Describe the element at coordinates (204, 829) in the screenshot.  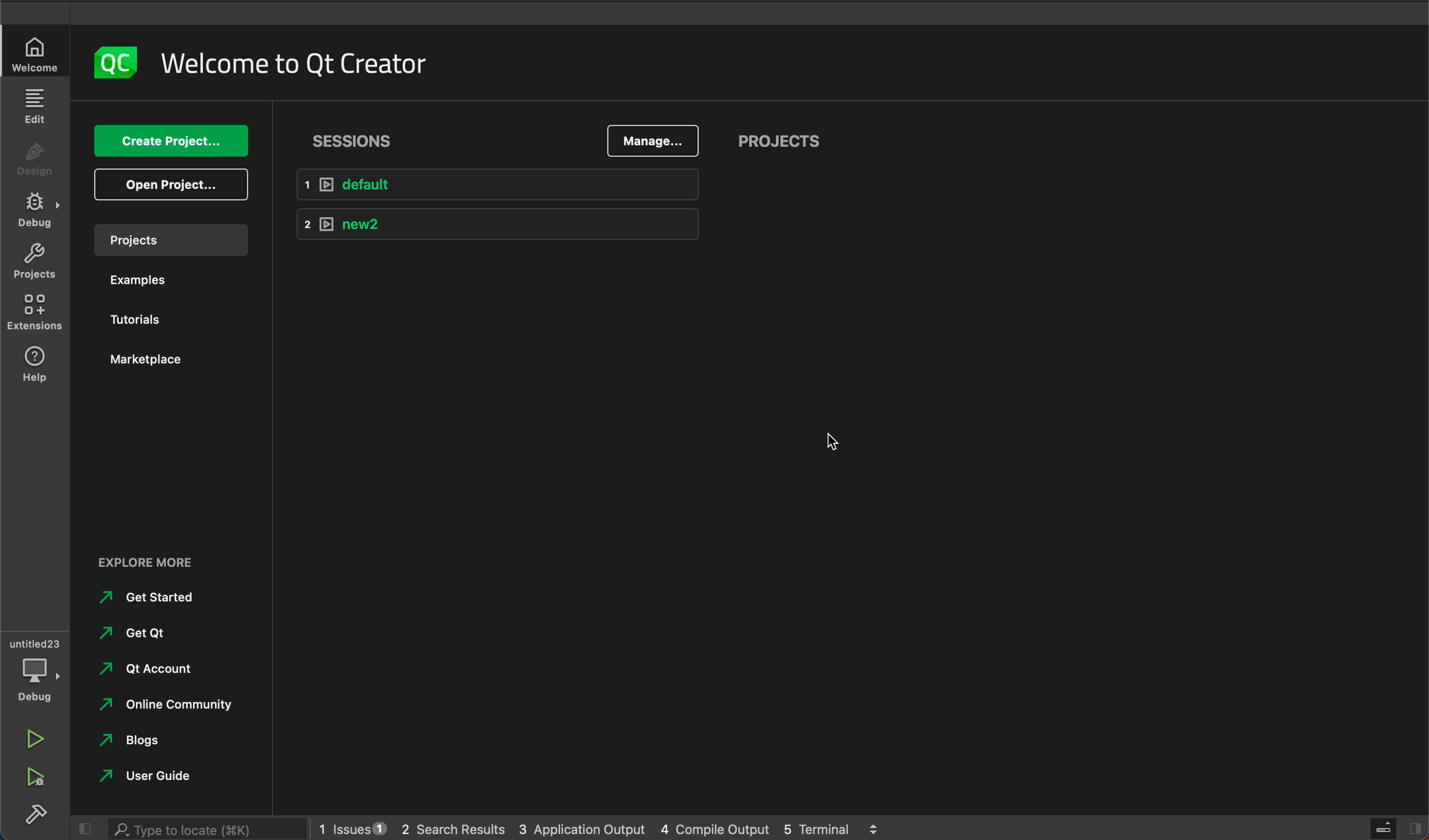
I see `search` at that location.